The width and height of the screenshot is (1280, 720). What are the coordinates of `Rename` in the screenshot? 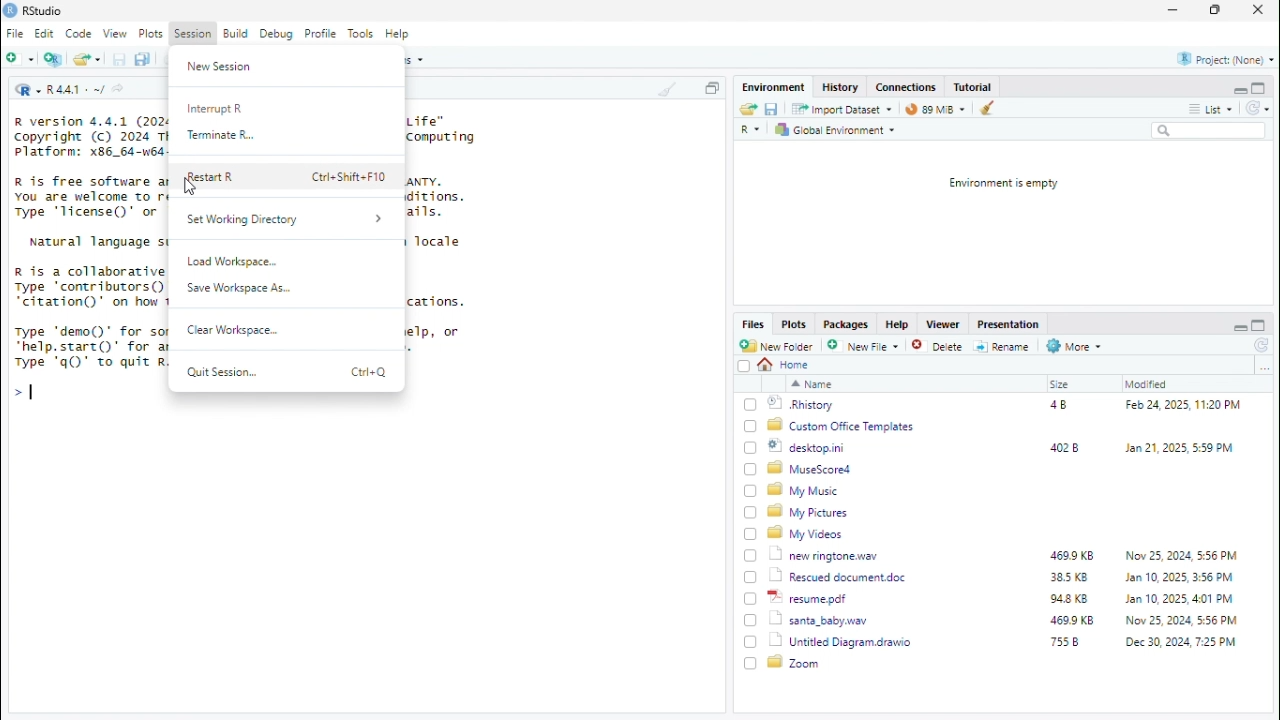 It's located at (1003, 347).